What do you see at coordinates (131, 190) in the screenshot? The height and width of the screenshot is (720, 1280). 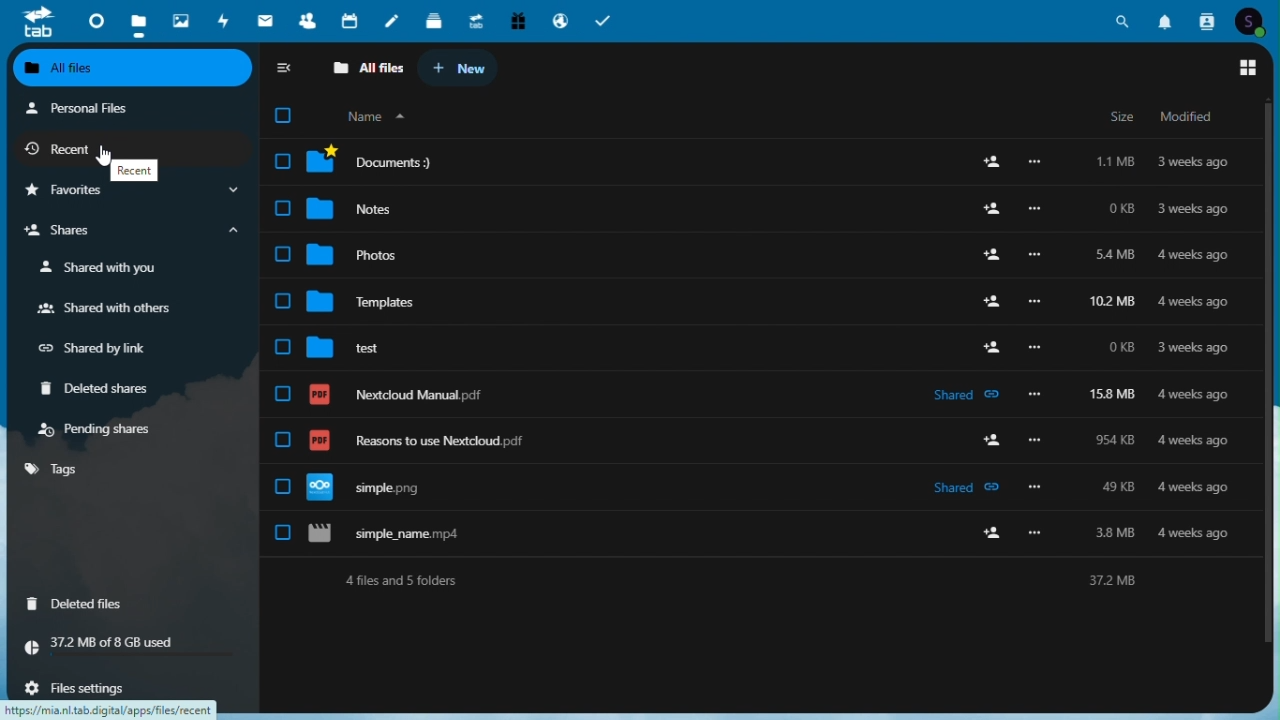 I see `Favourites` at bounding box center [131, 190].